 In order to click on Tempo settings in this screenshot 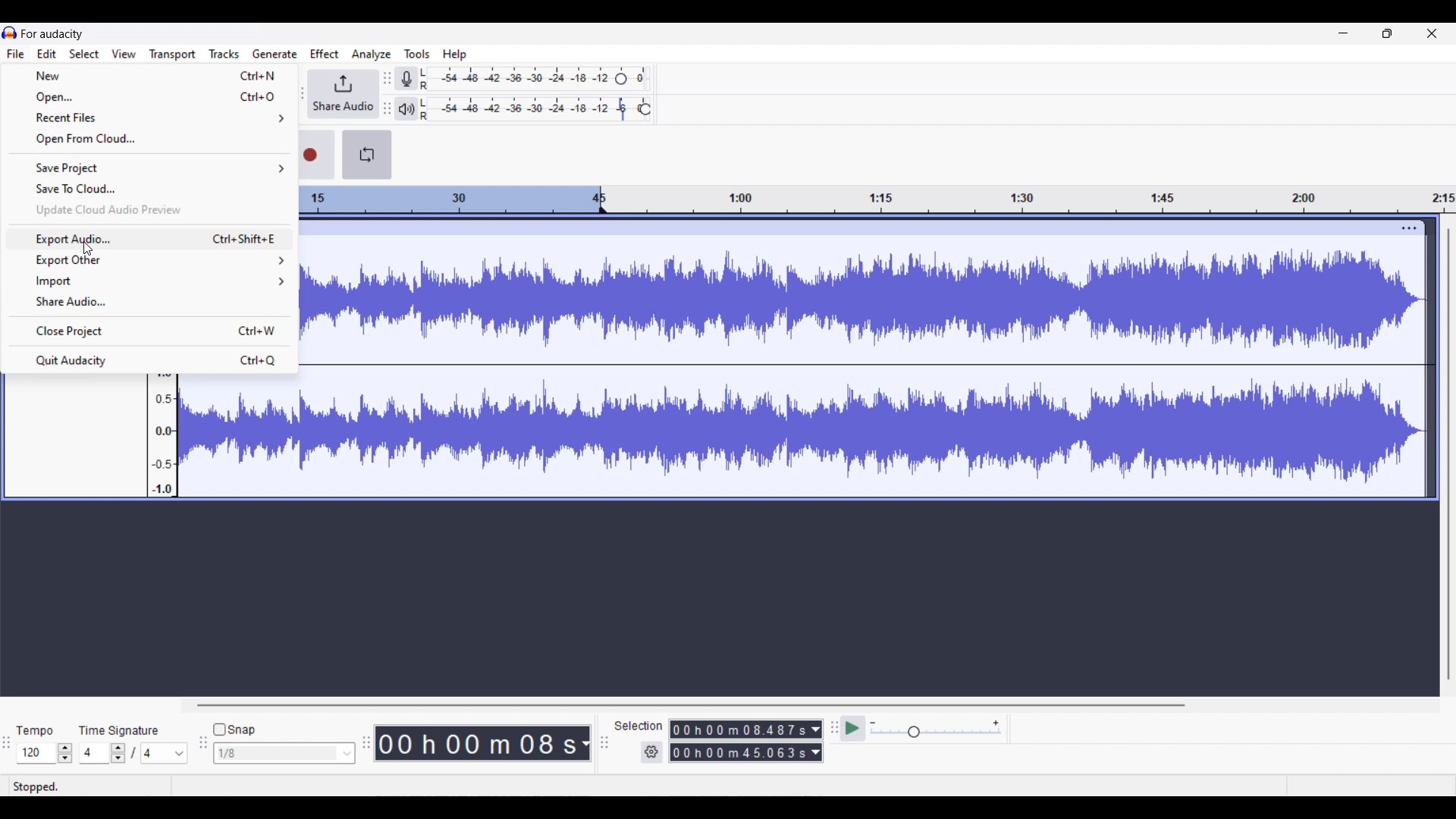, I will do `click(34, 731)`.